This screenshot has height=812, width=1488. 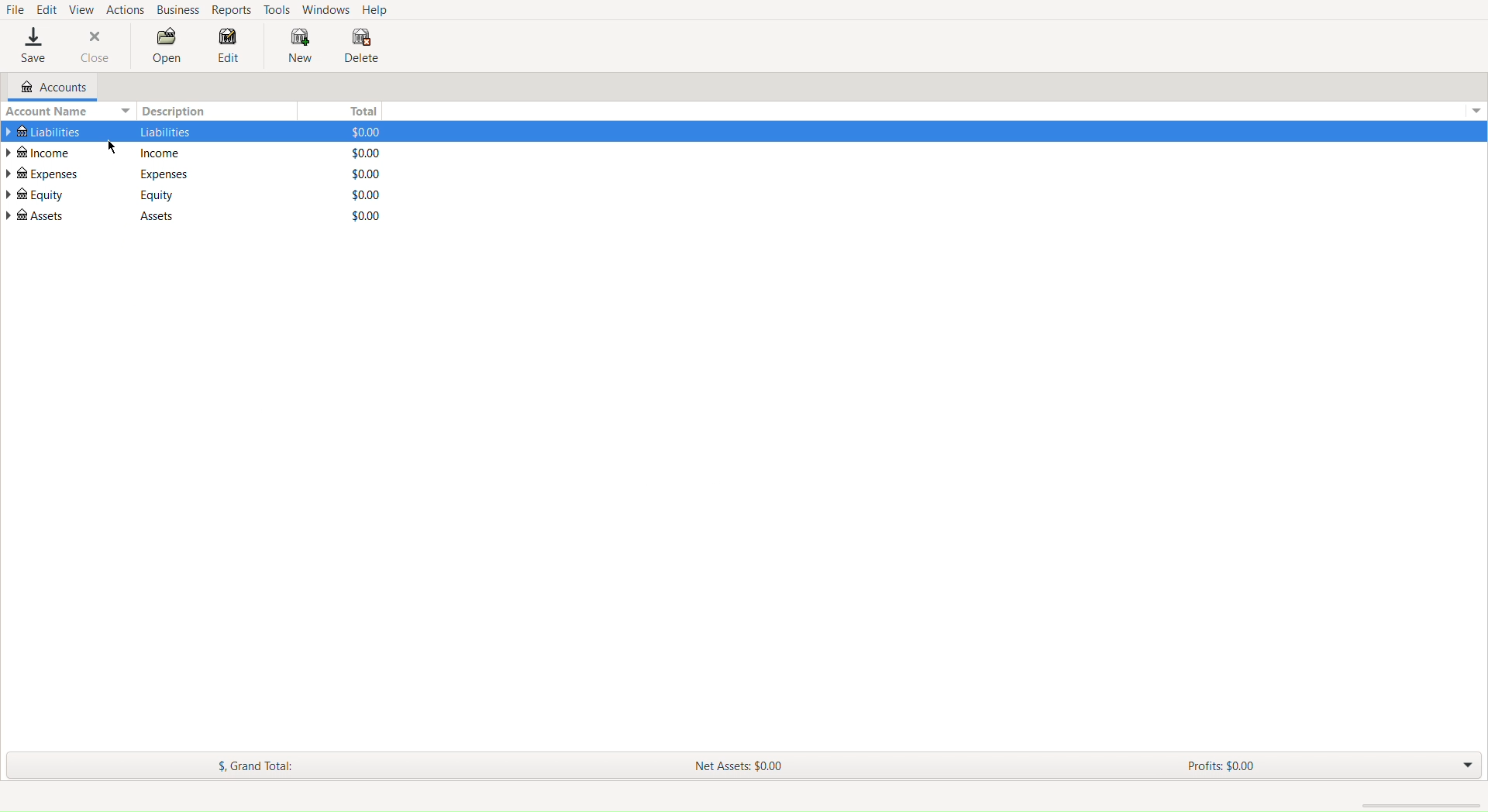 What do you see at coordinates (126, 9) in the screenshot?
I see `Actions` at bounding box center [126, 9].